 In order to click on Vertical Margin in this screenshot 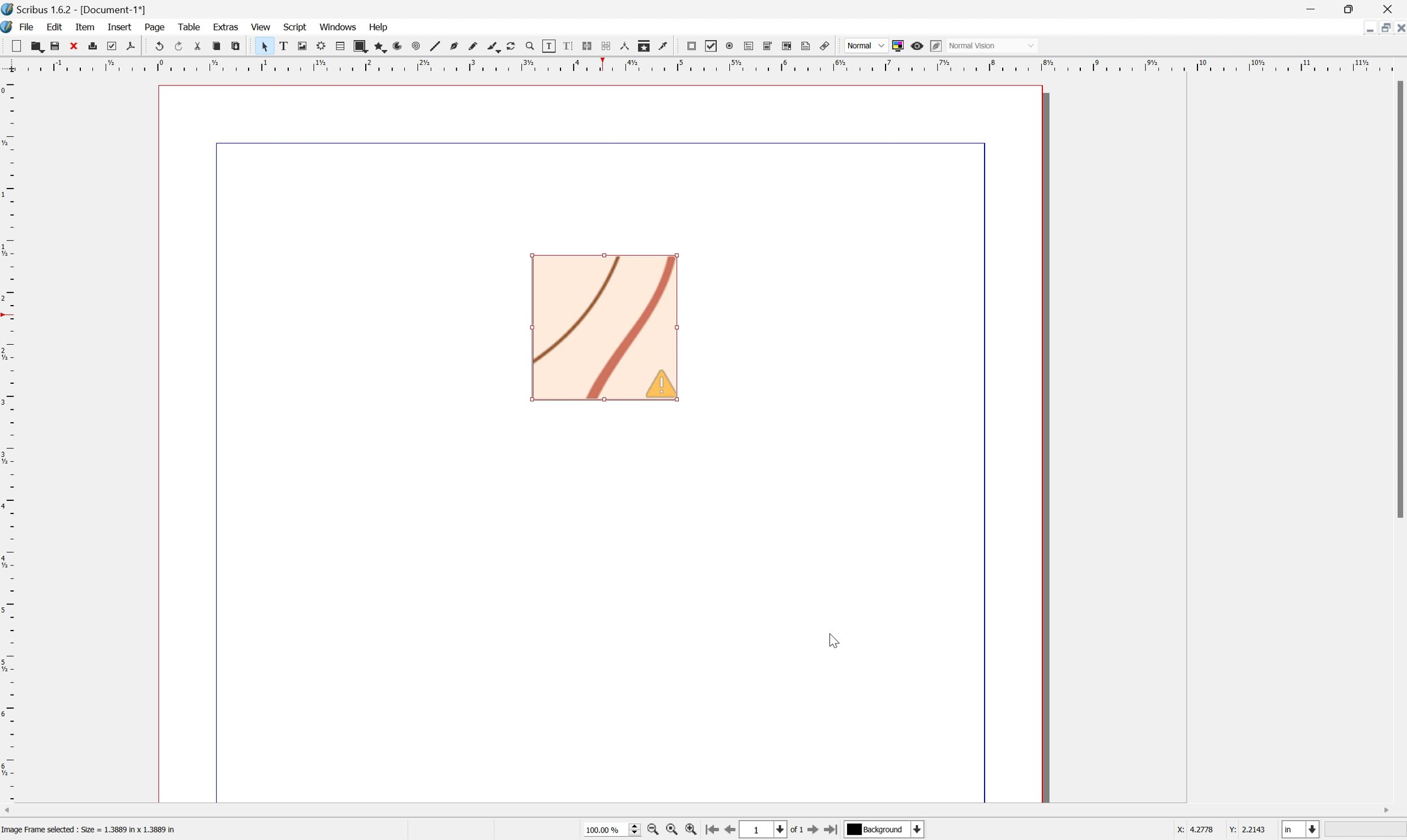, I will do `click(9, 442)`.